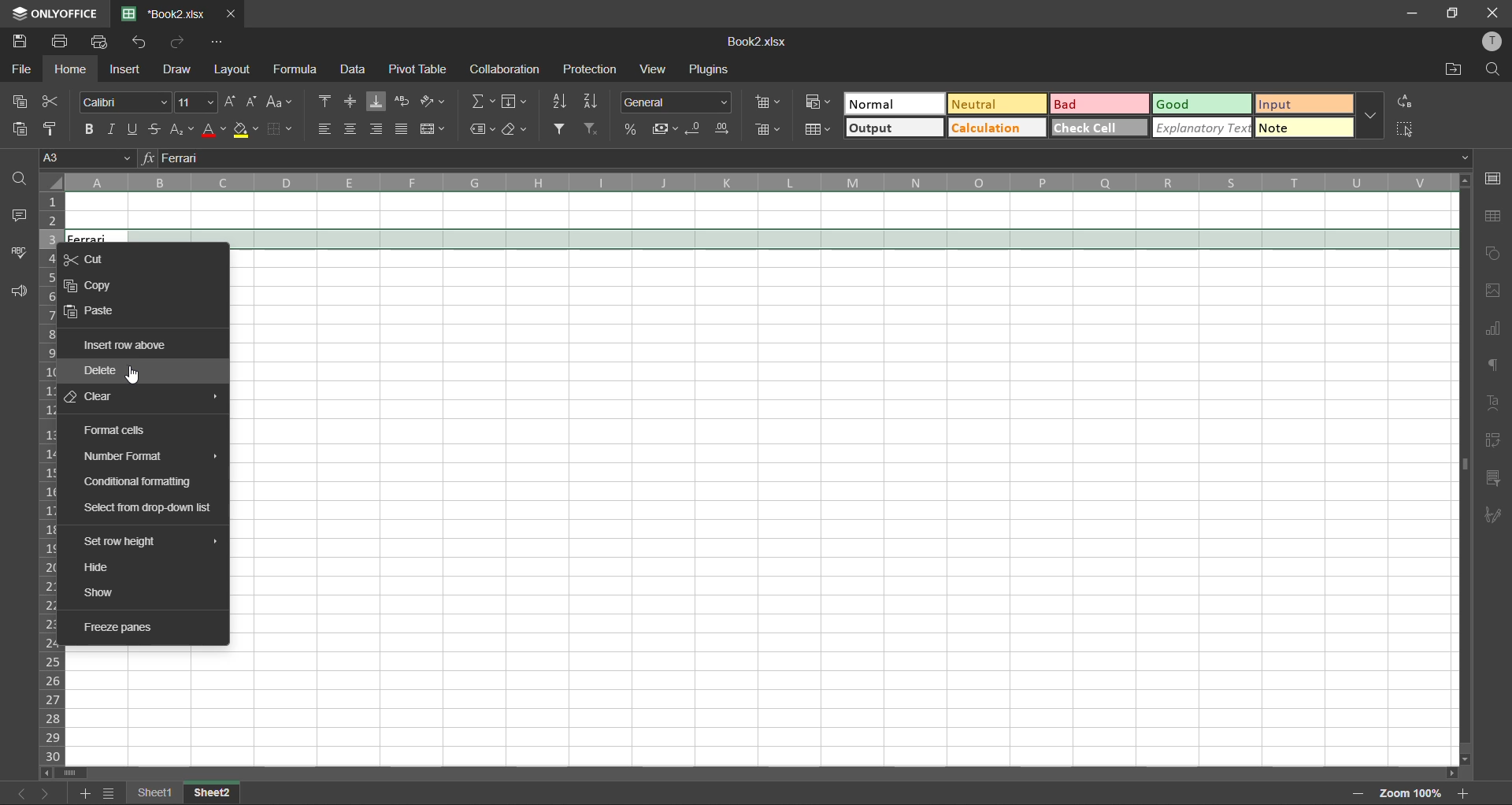  I want to click on data, so click(352, 69).